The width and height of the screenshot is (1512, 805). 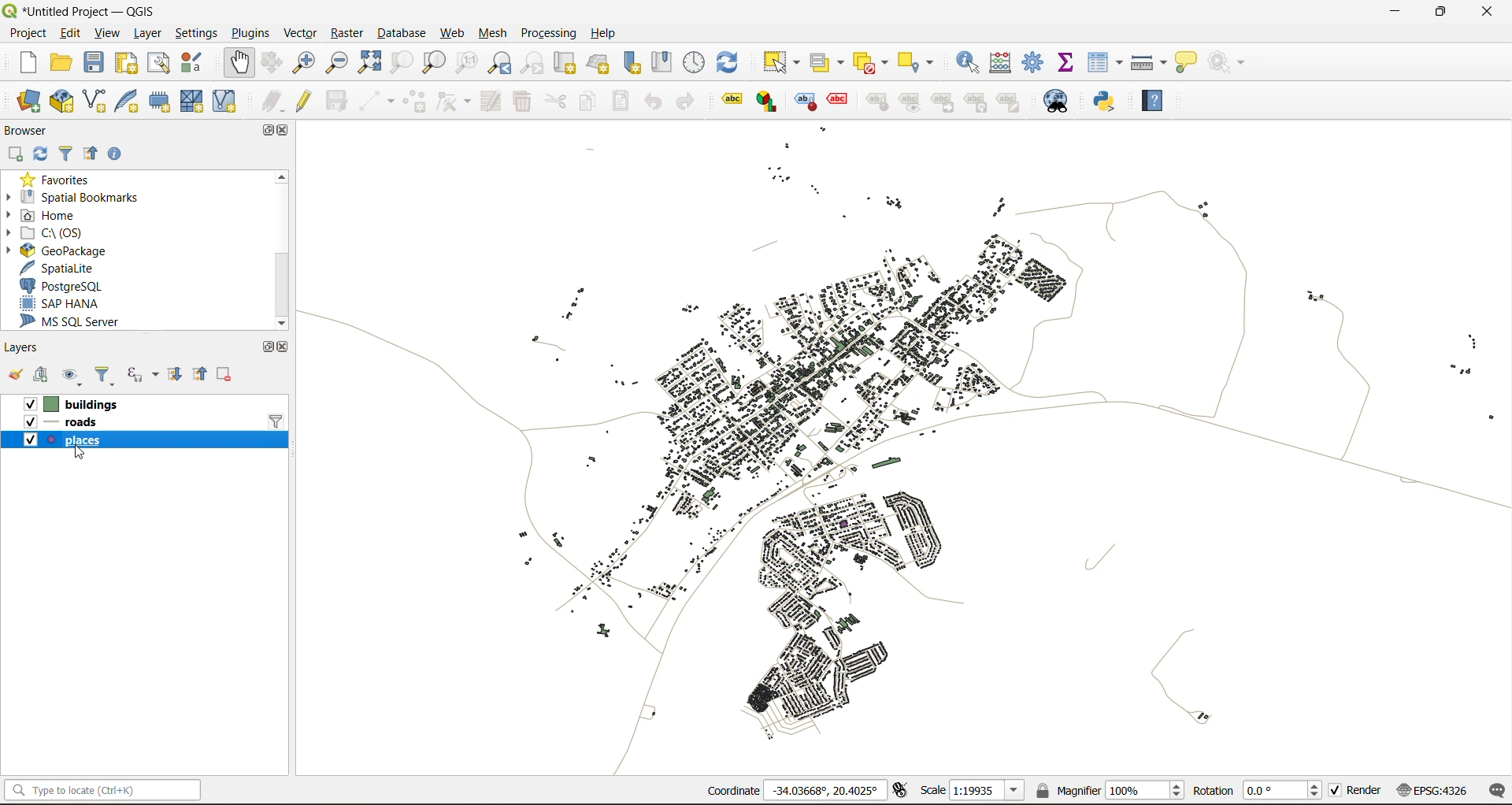 What do you see at coordinates (373, 63) in the screenshot?
I see `zoom full` at bounding box center [373, 63].